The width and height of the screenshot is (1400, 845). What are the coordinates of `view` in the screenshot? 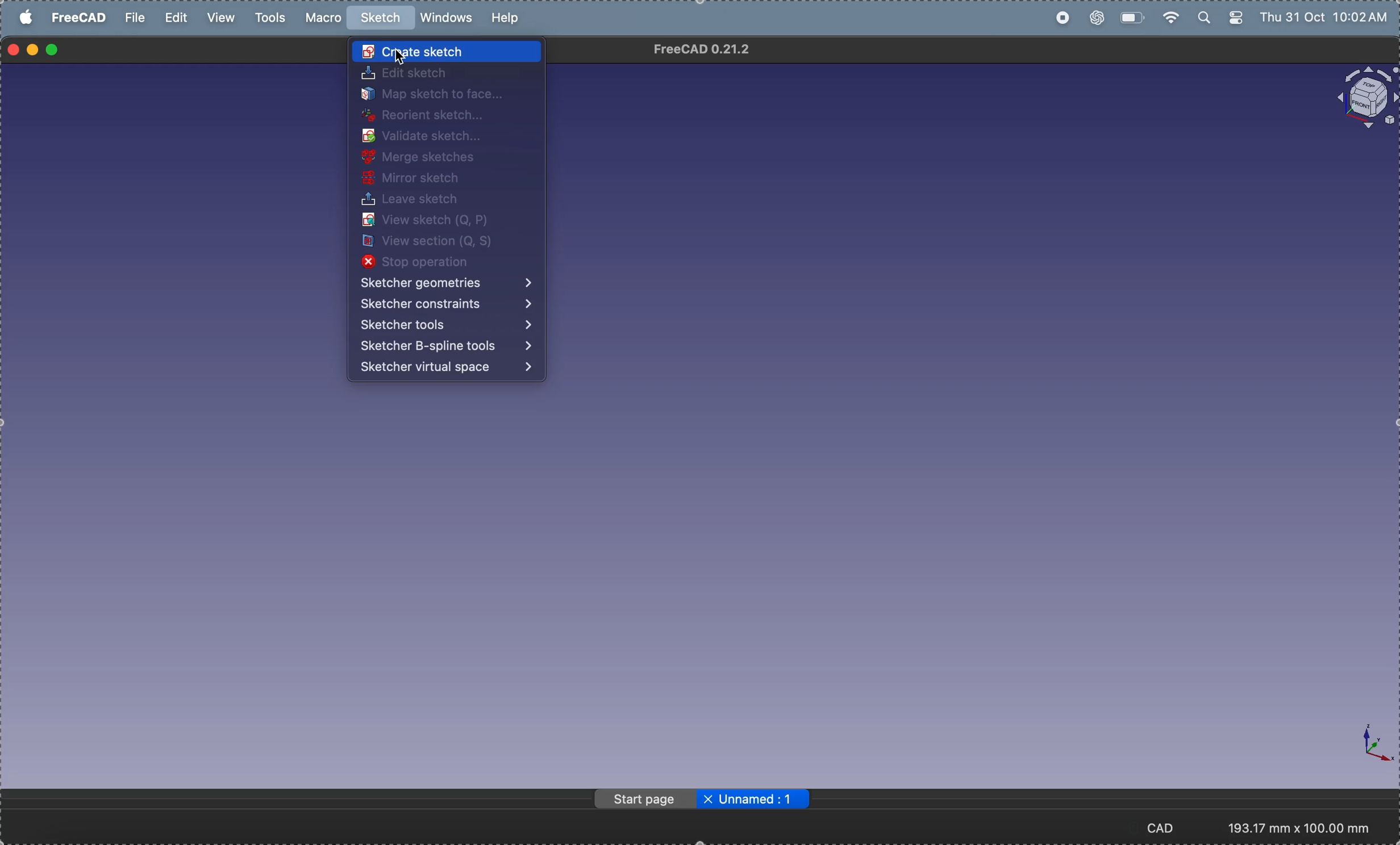 It's located at (219, 18).